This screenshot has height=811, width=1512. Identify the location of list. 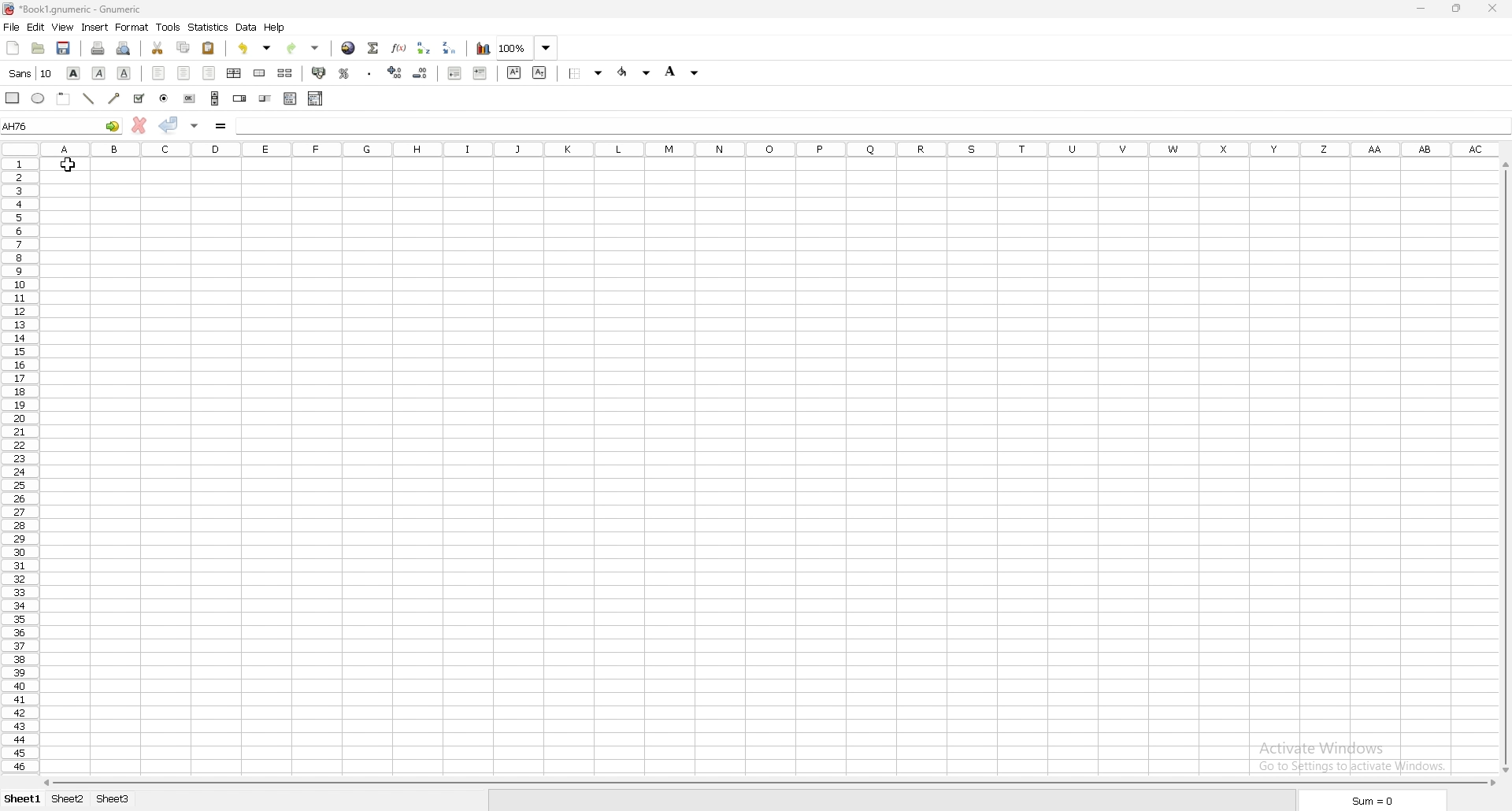
(290, 98).